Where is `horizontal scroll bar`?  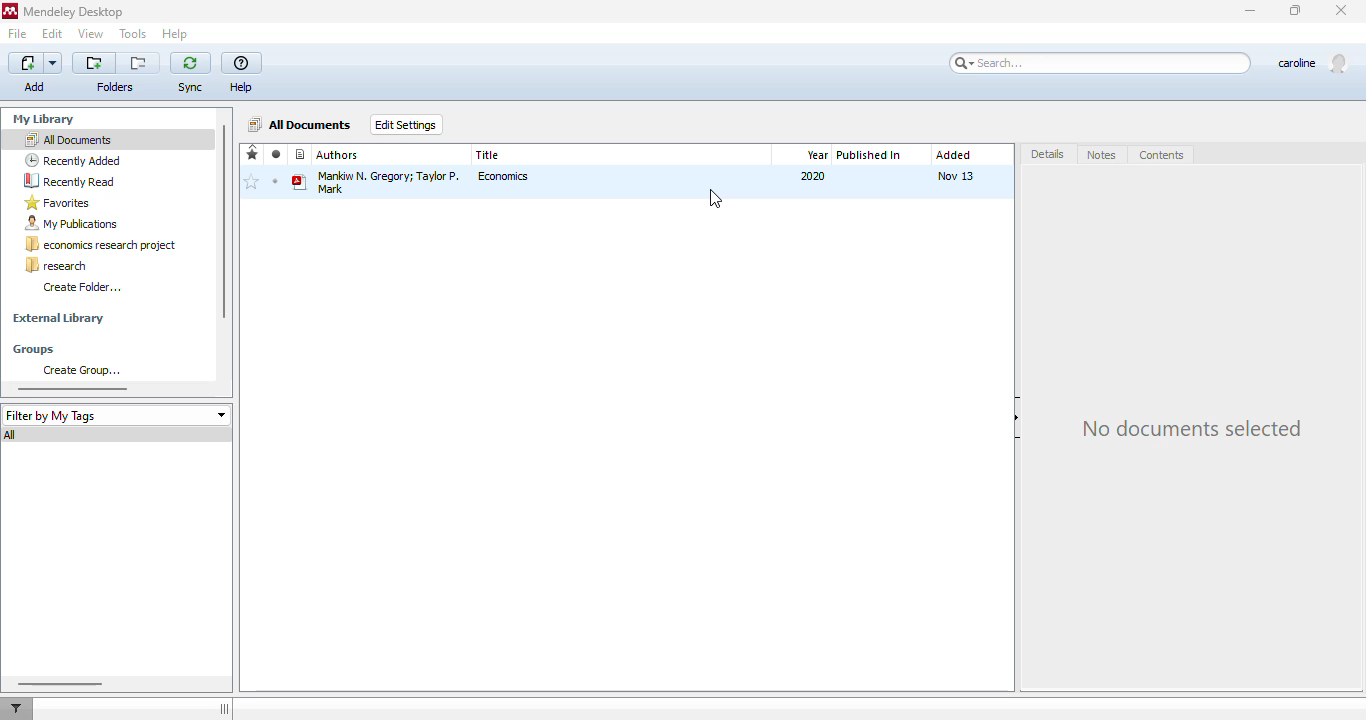 horizontal scroll bar is located at coordinates (74, 389).